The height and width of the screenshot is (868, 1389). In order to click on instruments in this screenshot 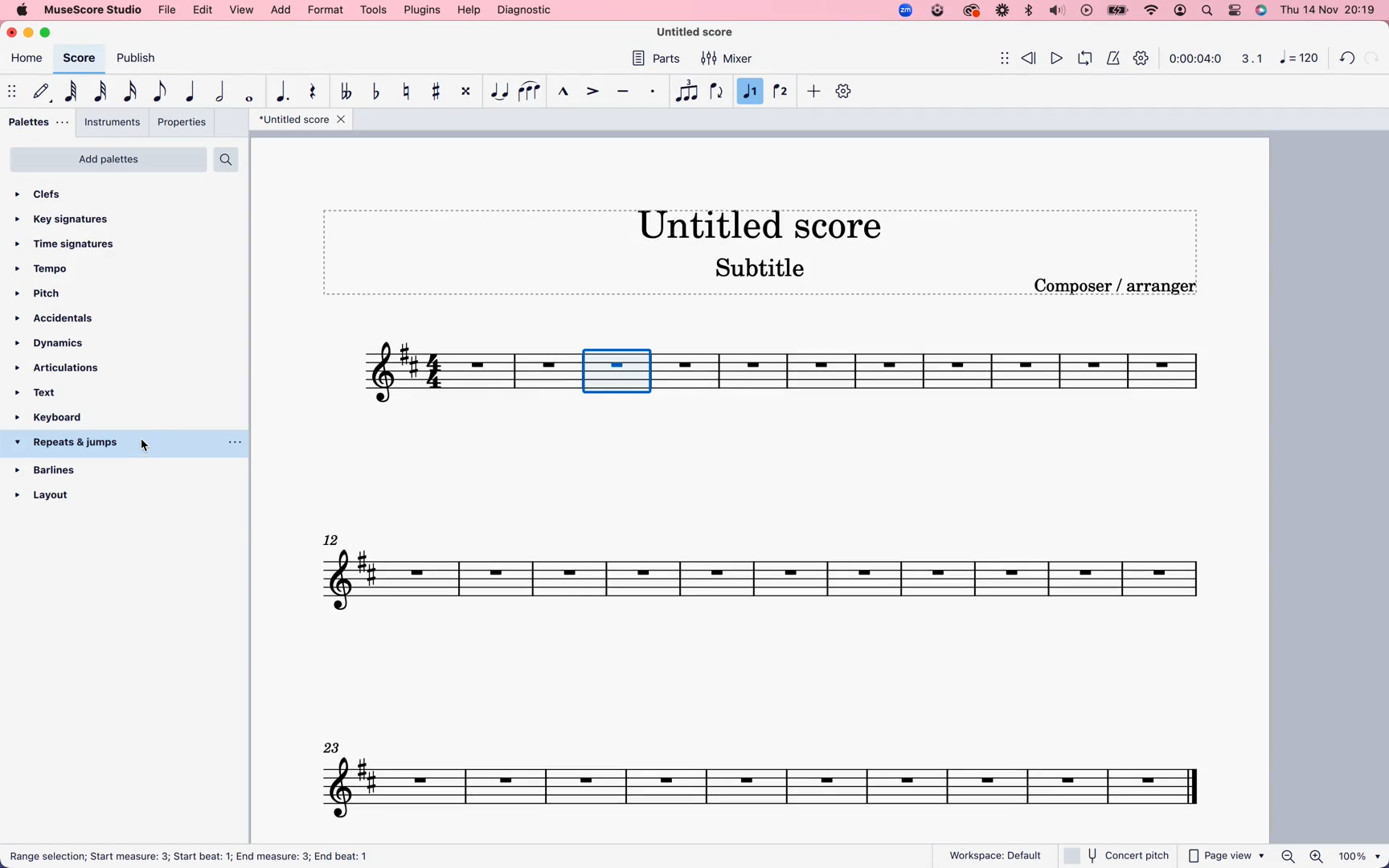, I will do `click(113, 122)`.